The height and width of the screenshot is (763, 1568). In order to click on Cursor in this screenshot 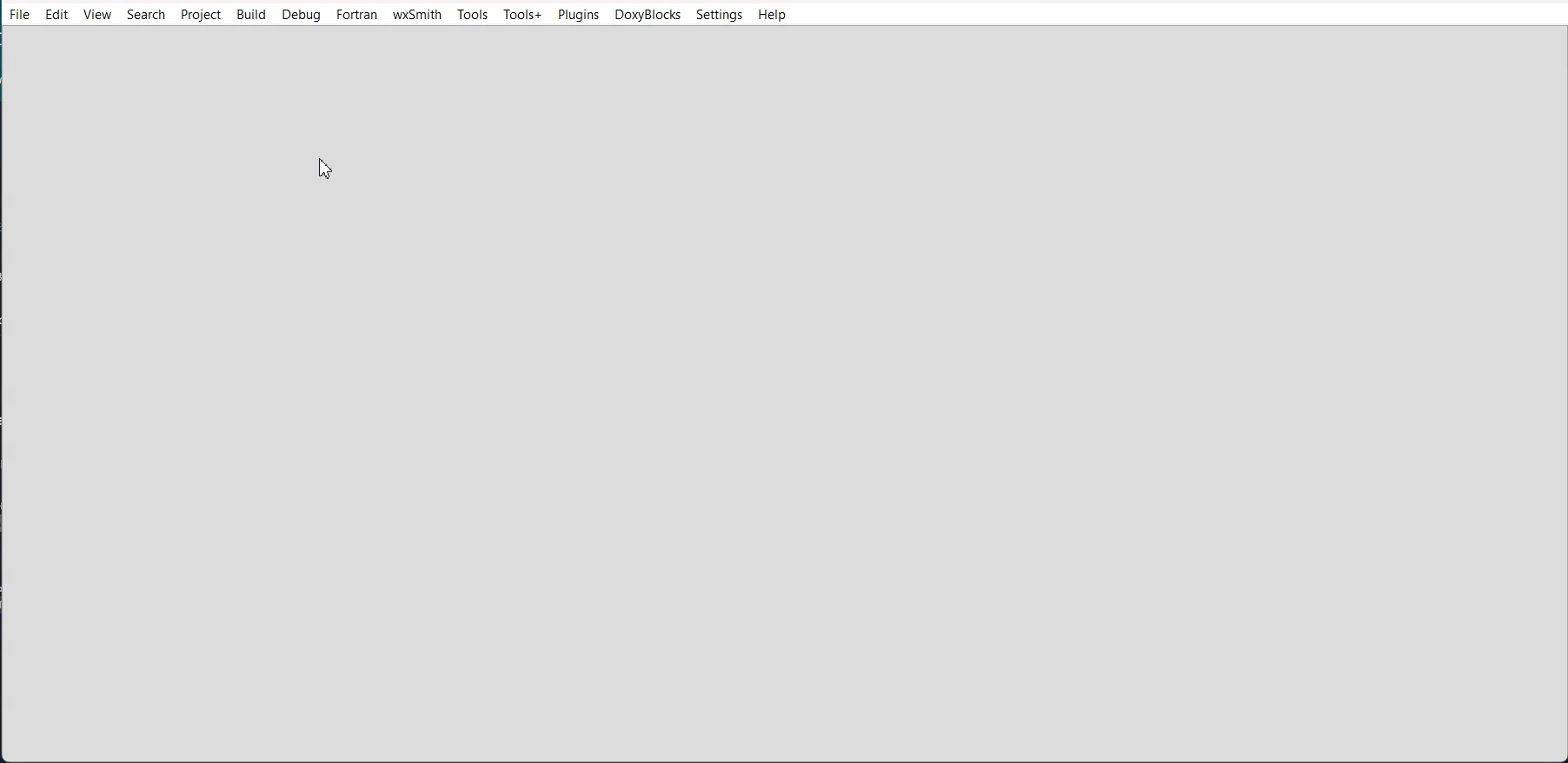, I will do `click(329, 169)`.